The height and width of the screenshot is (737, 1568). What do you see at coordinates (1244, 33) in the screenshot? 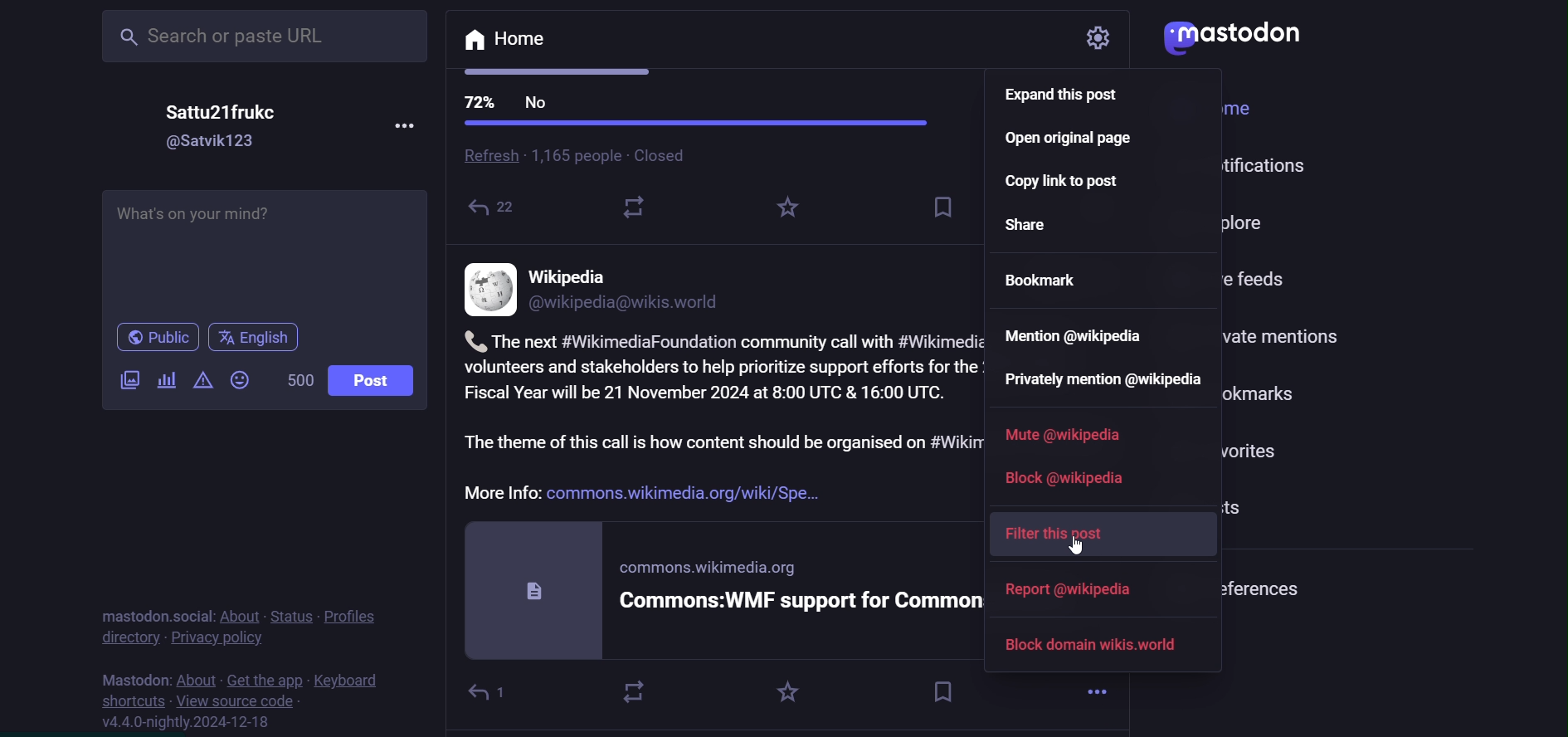
I see `logo` at bounding box center [1244, 33].